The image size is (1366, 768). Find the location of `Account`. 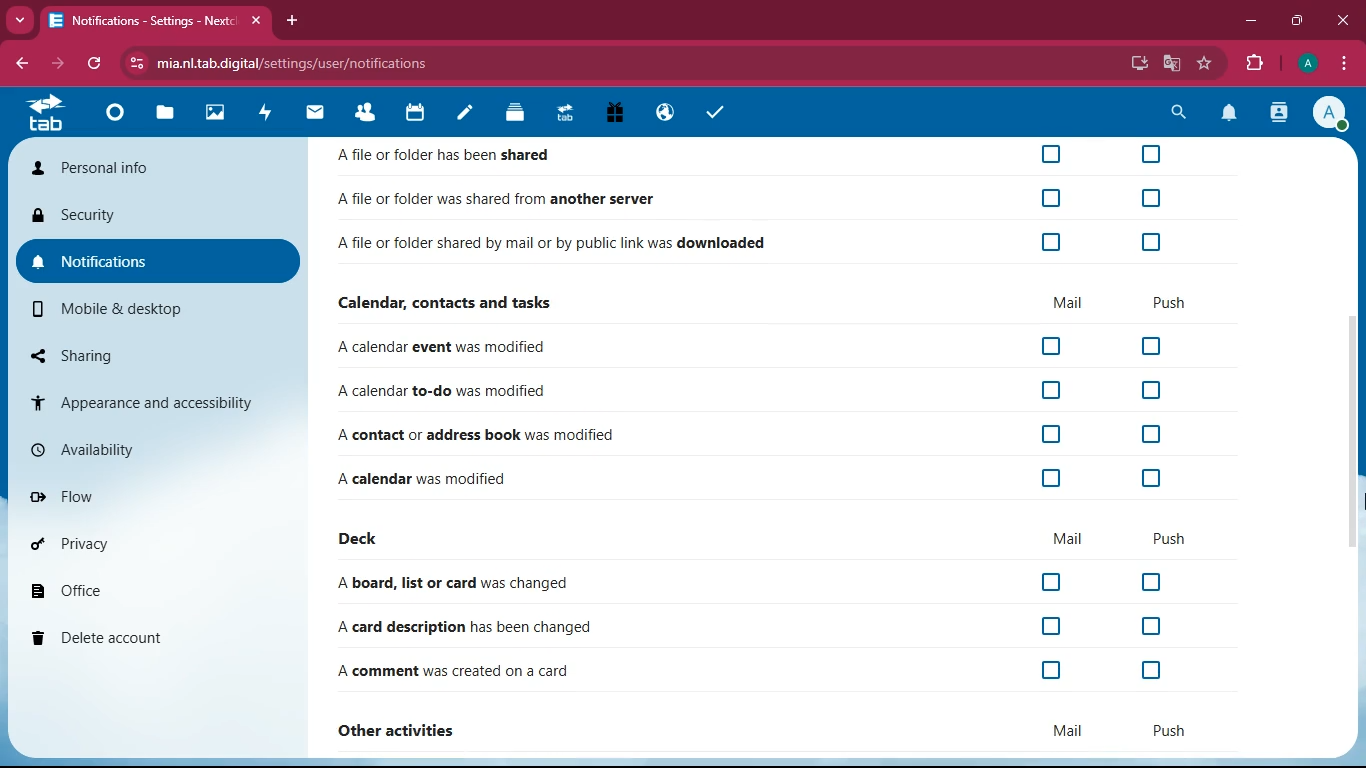

Account is located at coordinates (1328, 112).